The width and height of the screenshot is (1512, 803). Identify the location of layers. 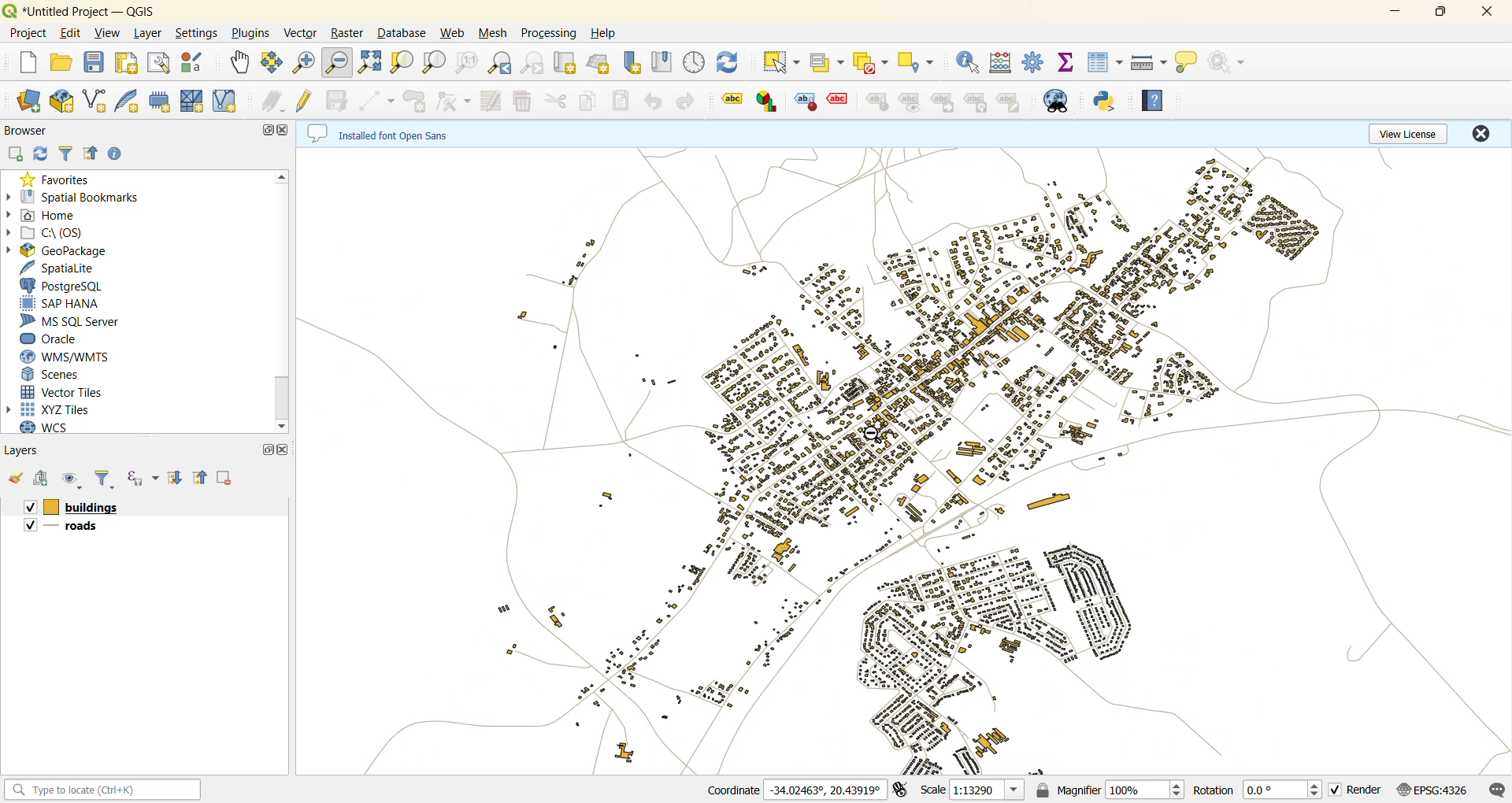
(73, 506).